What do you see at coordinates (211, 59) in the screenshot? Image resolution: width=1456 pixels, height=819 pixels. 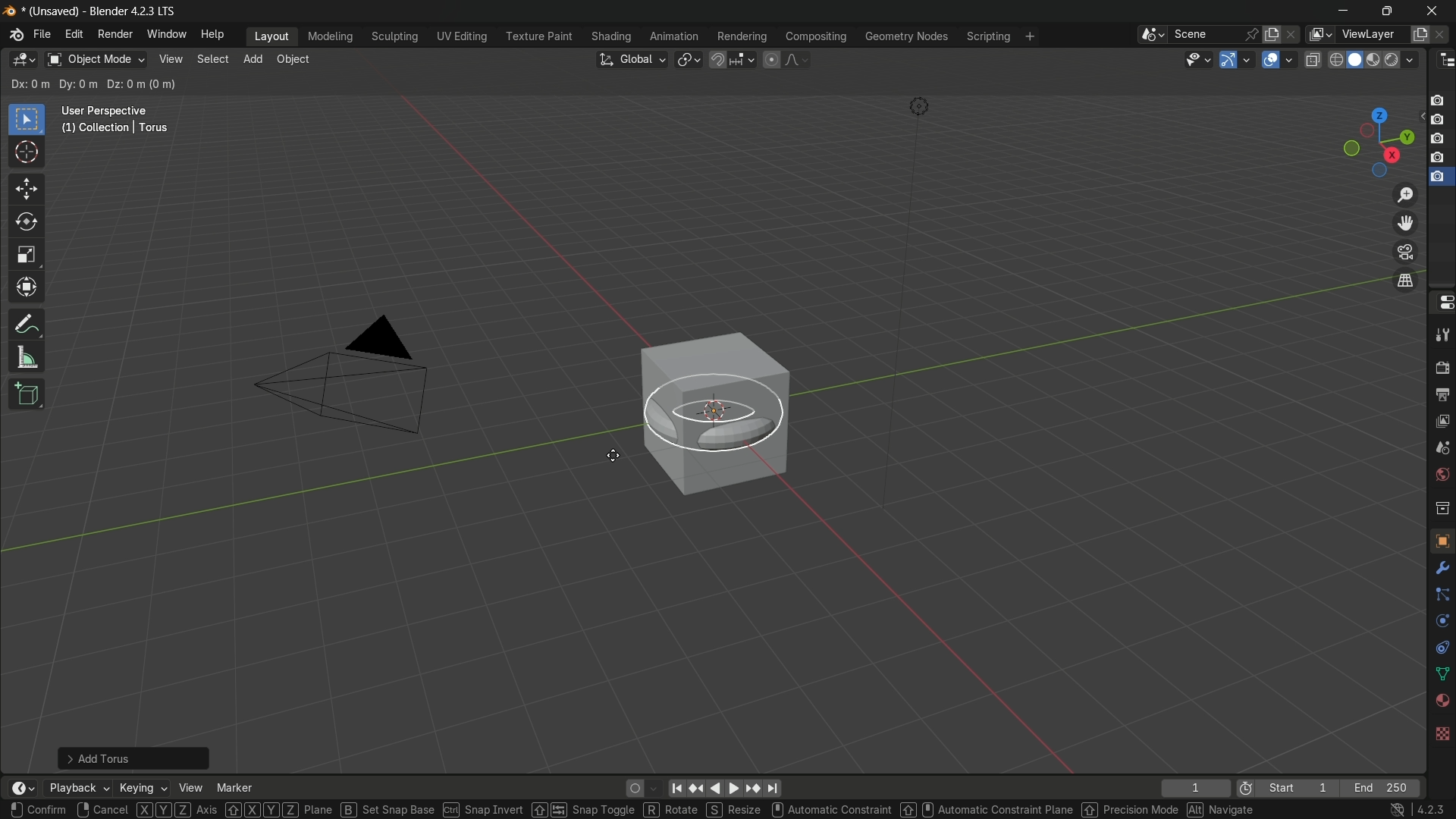 I see `select` at bounding box center [211, 59].